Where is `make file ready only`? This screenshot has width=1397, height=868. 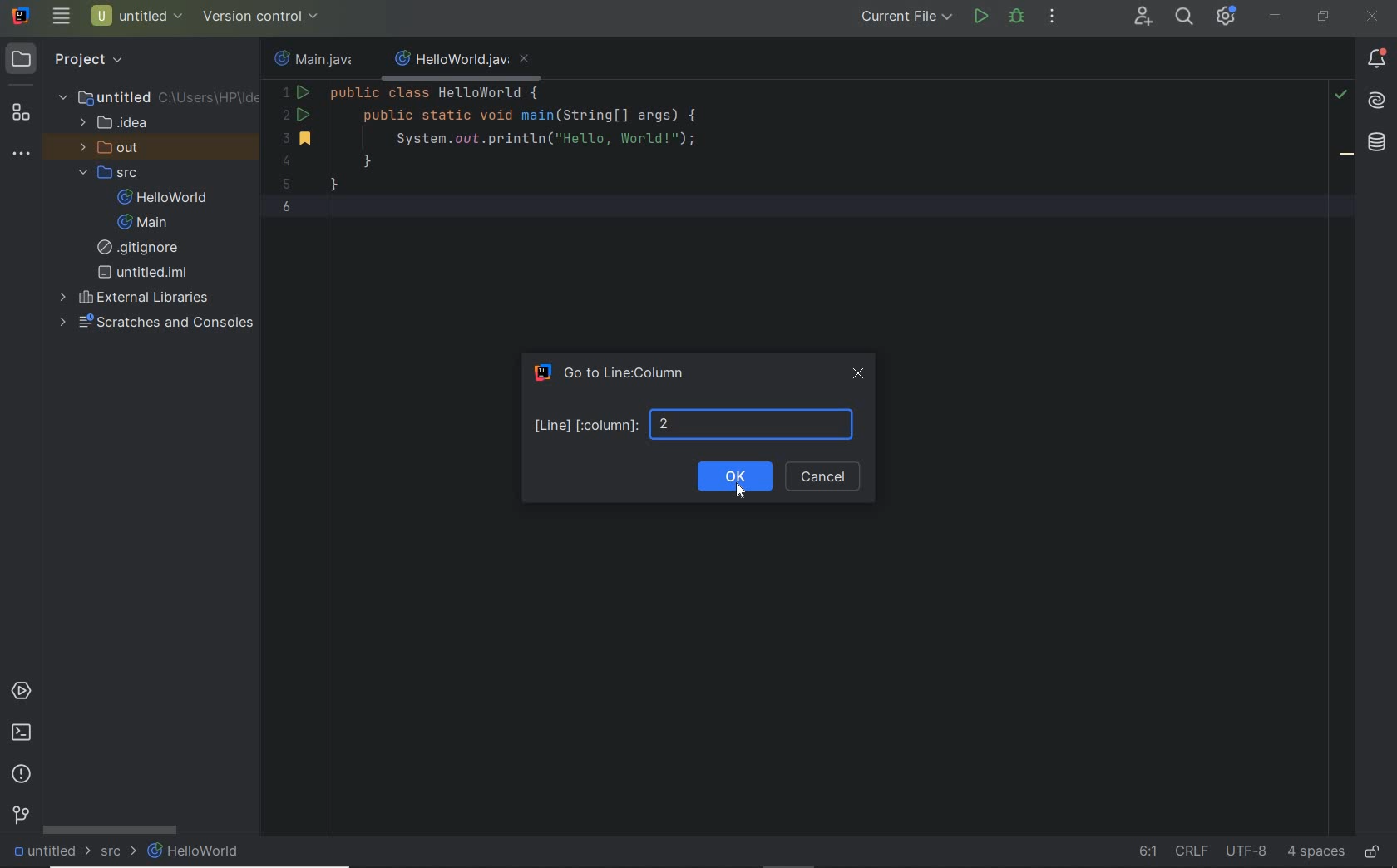 make file ready only is located at coordinates (1375, 853).